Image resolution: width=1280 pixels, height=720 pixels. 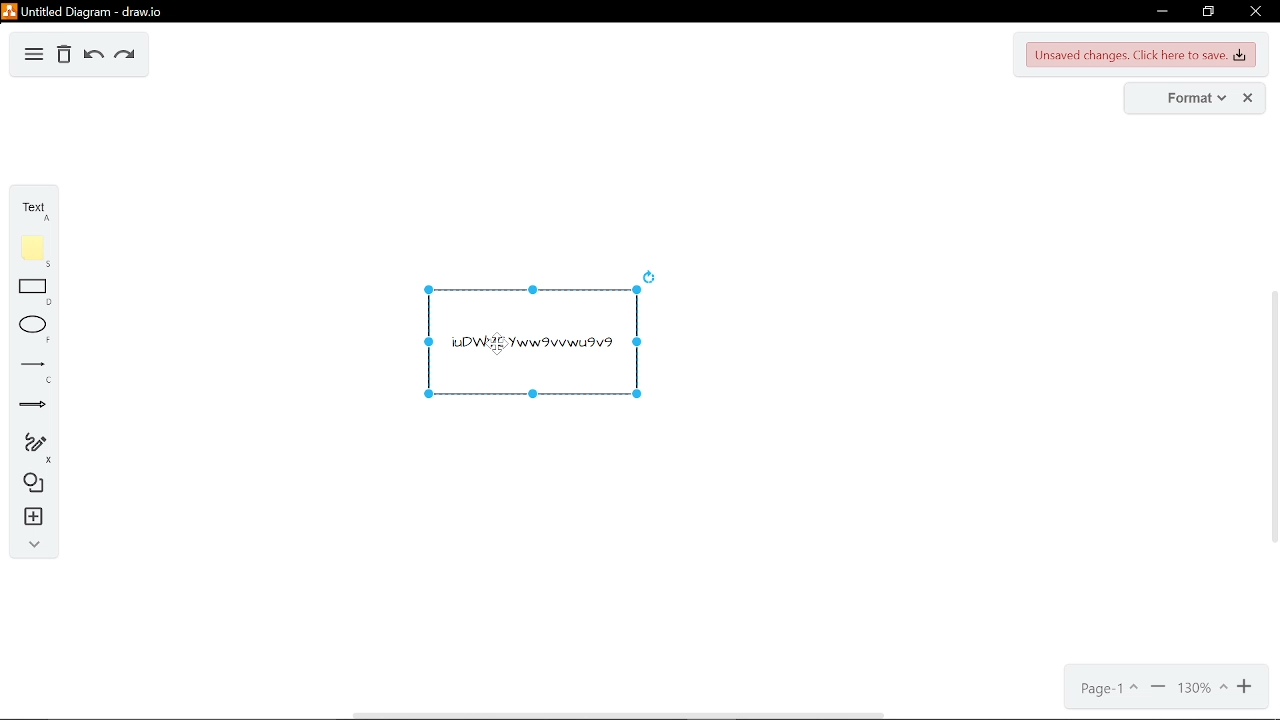 What do you see at coordinates (1248, 97) in the screenshot?
I see `close format` at bounding box center [1248, 97].